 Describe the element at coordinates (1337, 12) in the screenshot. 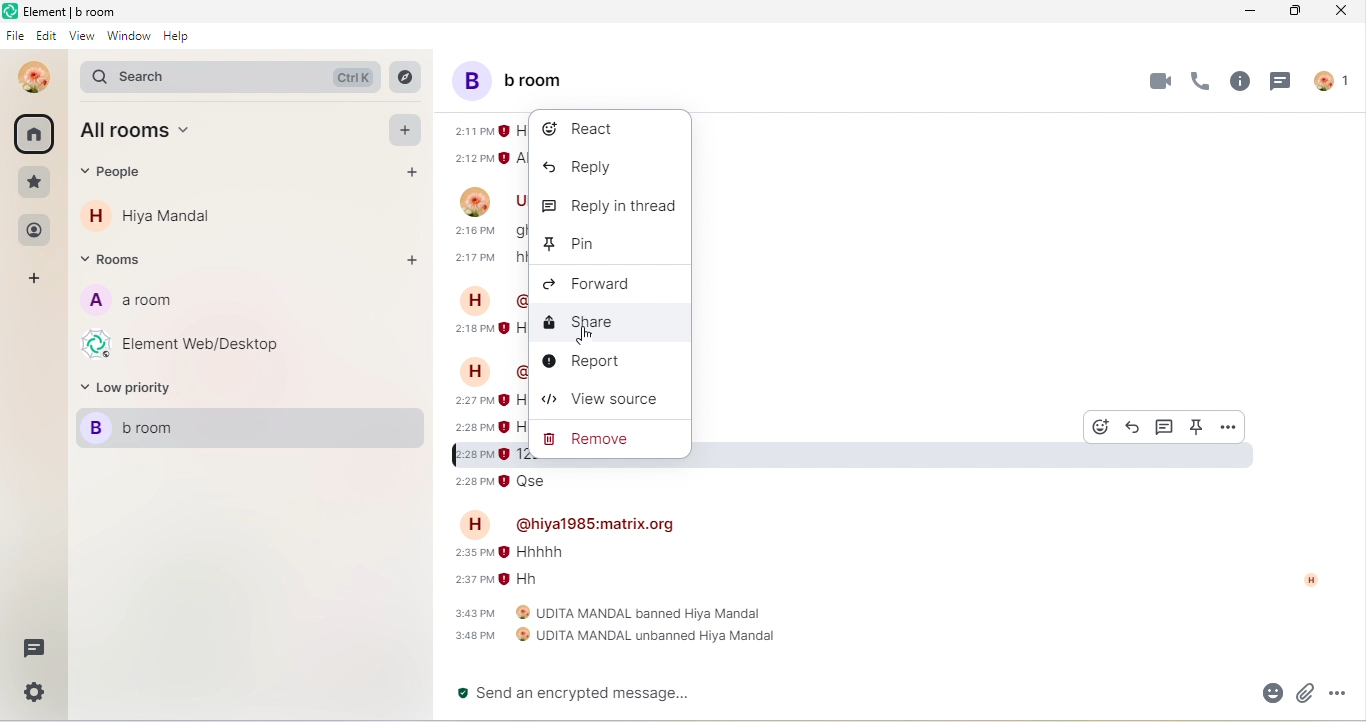

I see `close` at that location.